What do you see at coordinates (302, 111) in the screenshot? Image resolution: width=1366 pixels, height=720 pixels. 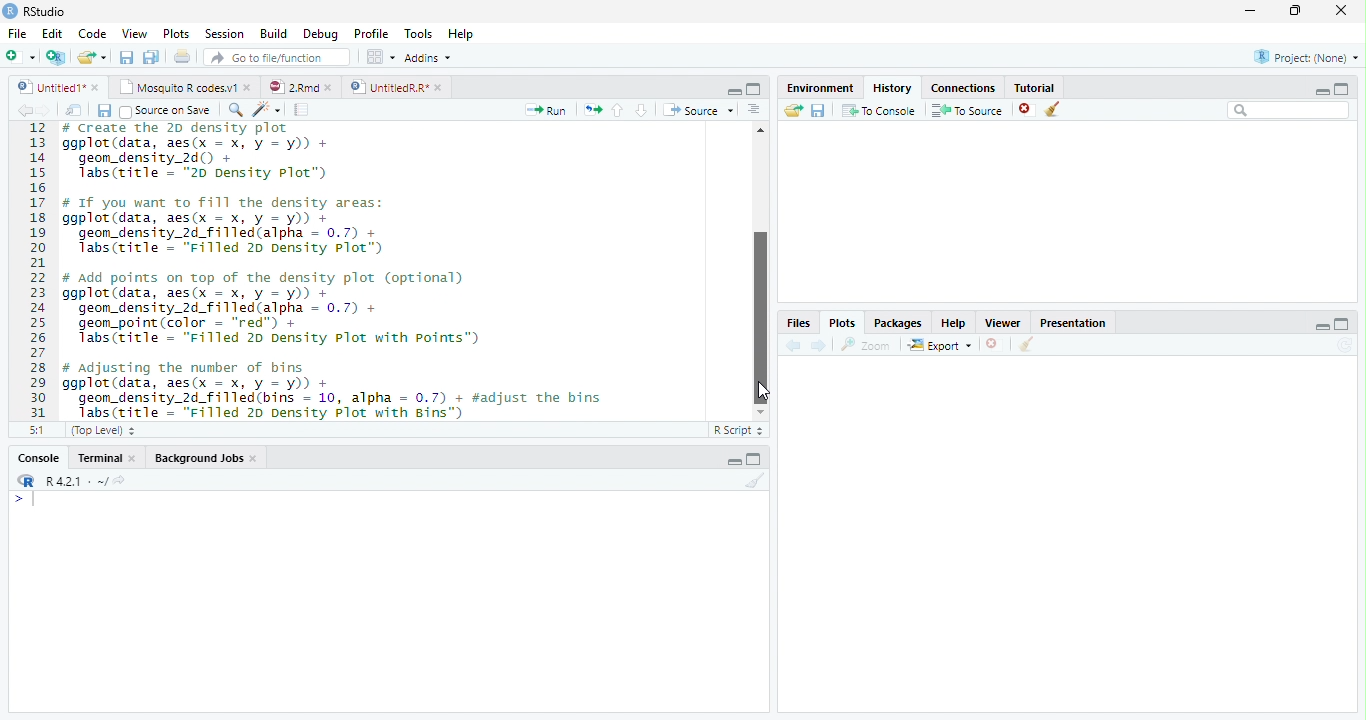 I see `compile report` at bounding box center [302, 111].